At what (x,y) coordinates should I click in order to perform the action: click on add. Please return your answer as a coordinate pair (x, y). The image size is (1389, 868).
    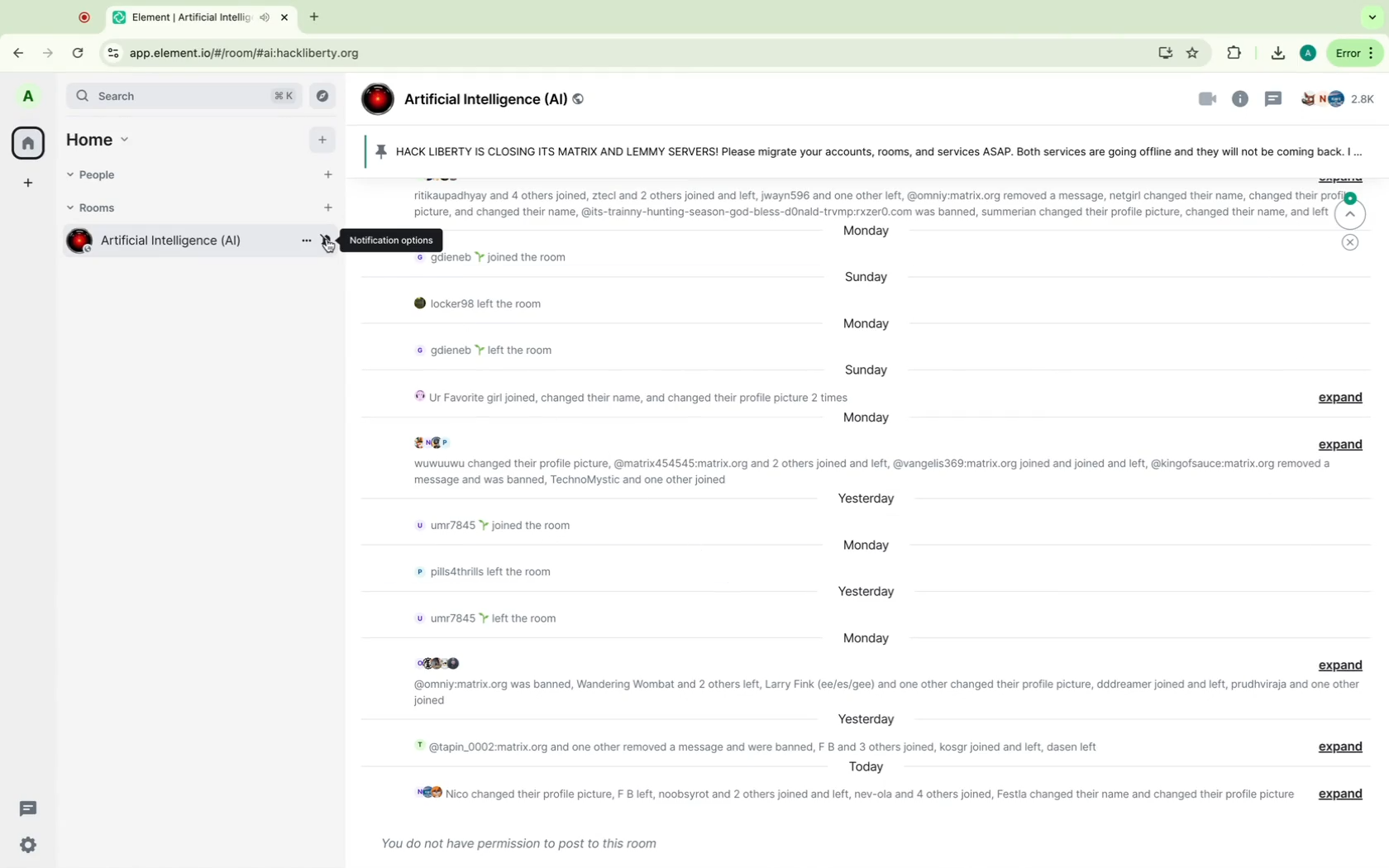
    Looking at the image, I should click on (321, 139).